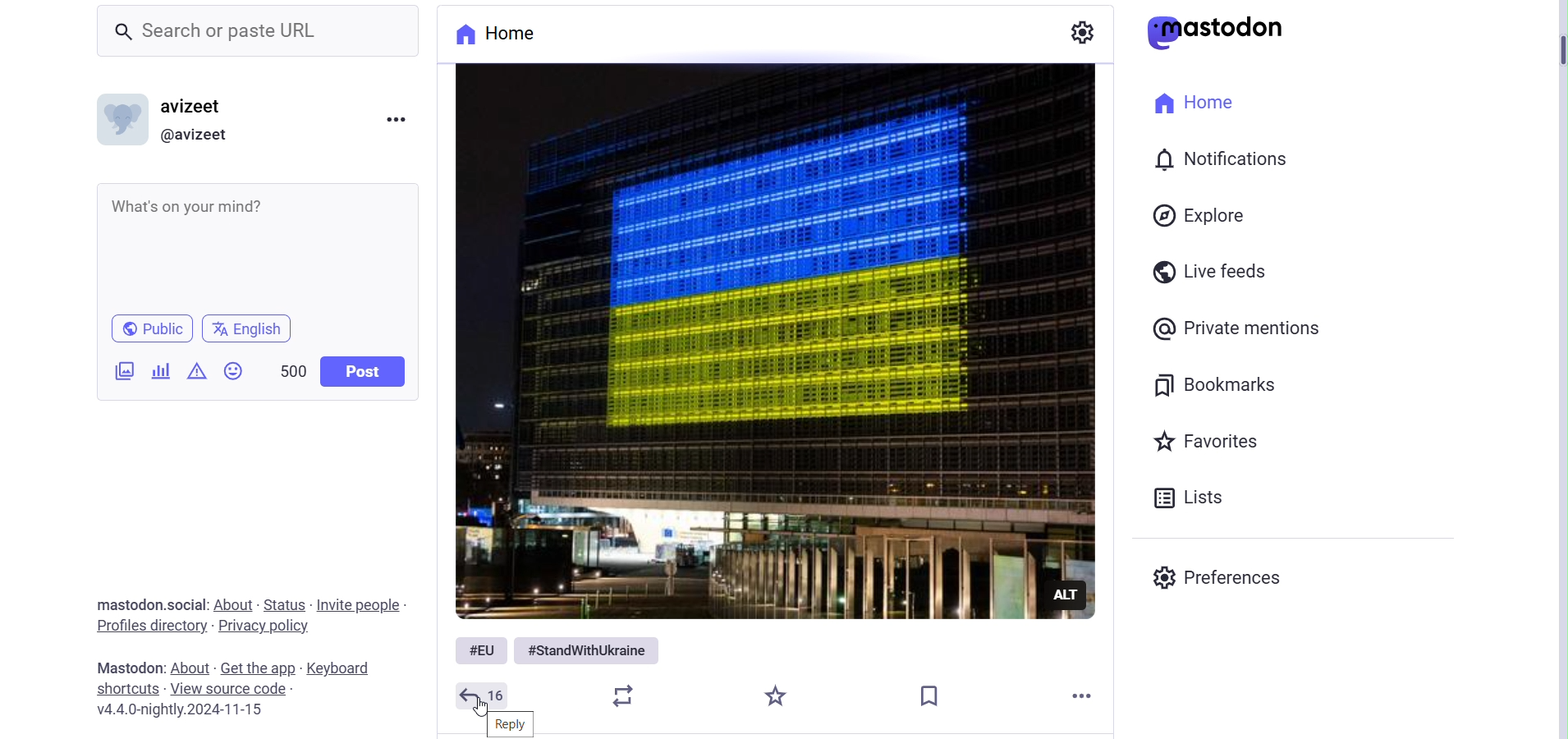 This screenshot has width=1568, height=739. Describe the element at coordinates (199, 106) in the screenshot. I see `Username` at that location.